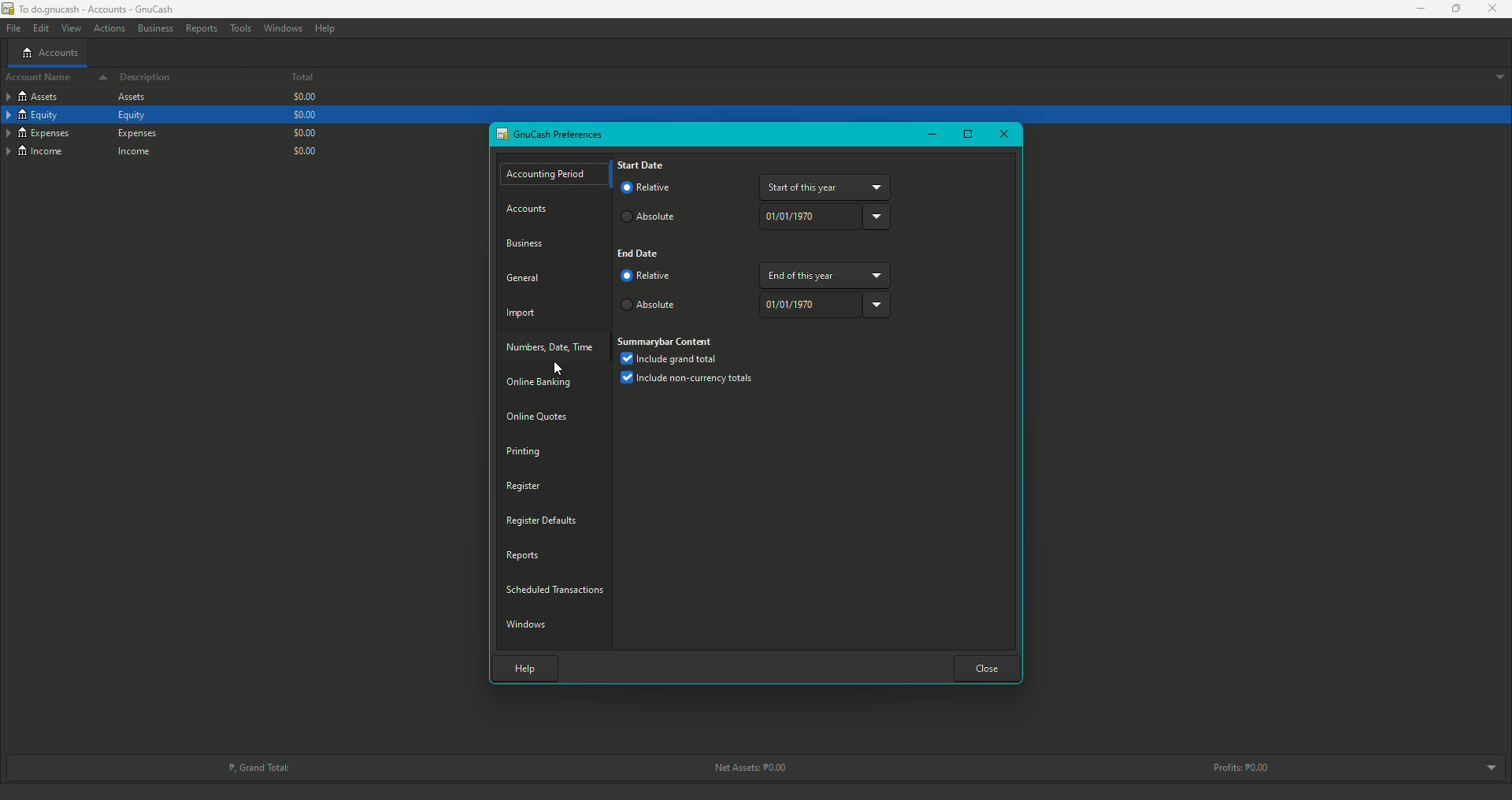 Image resolution: width=1512 pixels, height=800 pixels. What do you see at coordinates (640, 255) in the screenshot?
I see `End date` at bounding box center [640, 255].